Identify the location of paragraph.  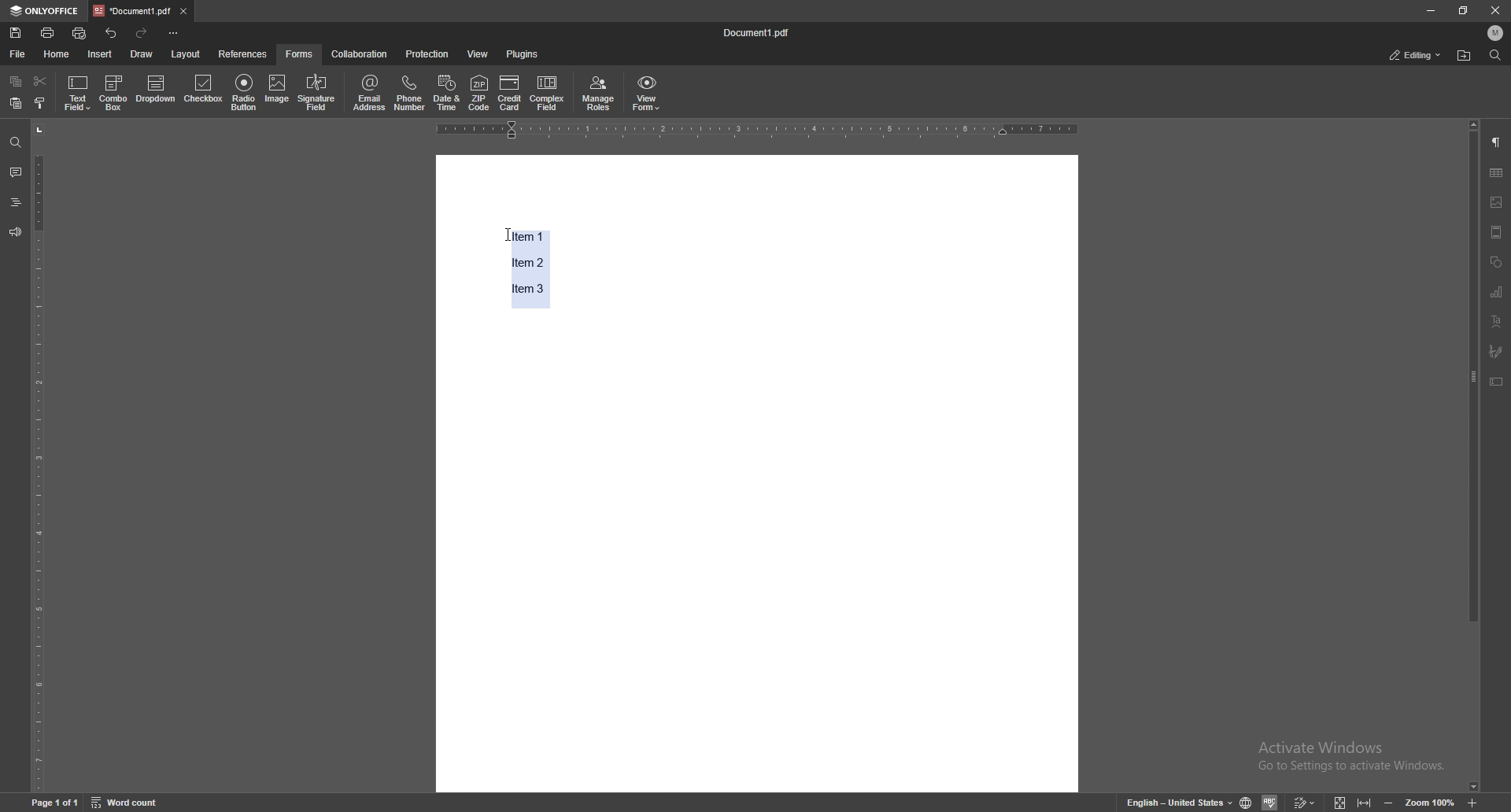
(1497, 142).